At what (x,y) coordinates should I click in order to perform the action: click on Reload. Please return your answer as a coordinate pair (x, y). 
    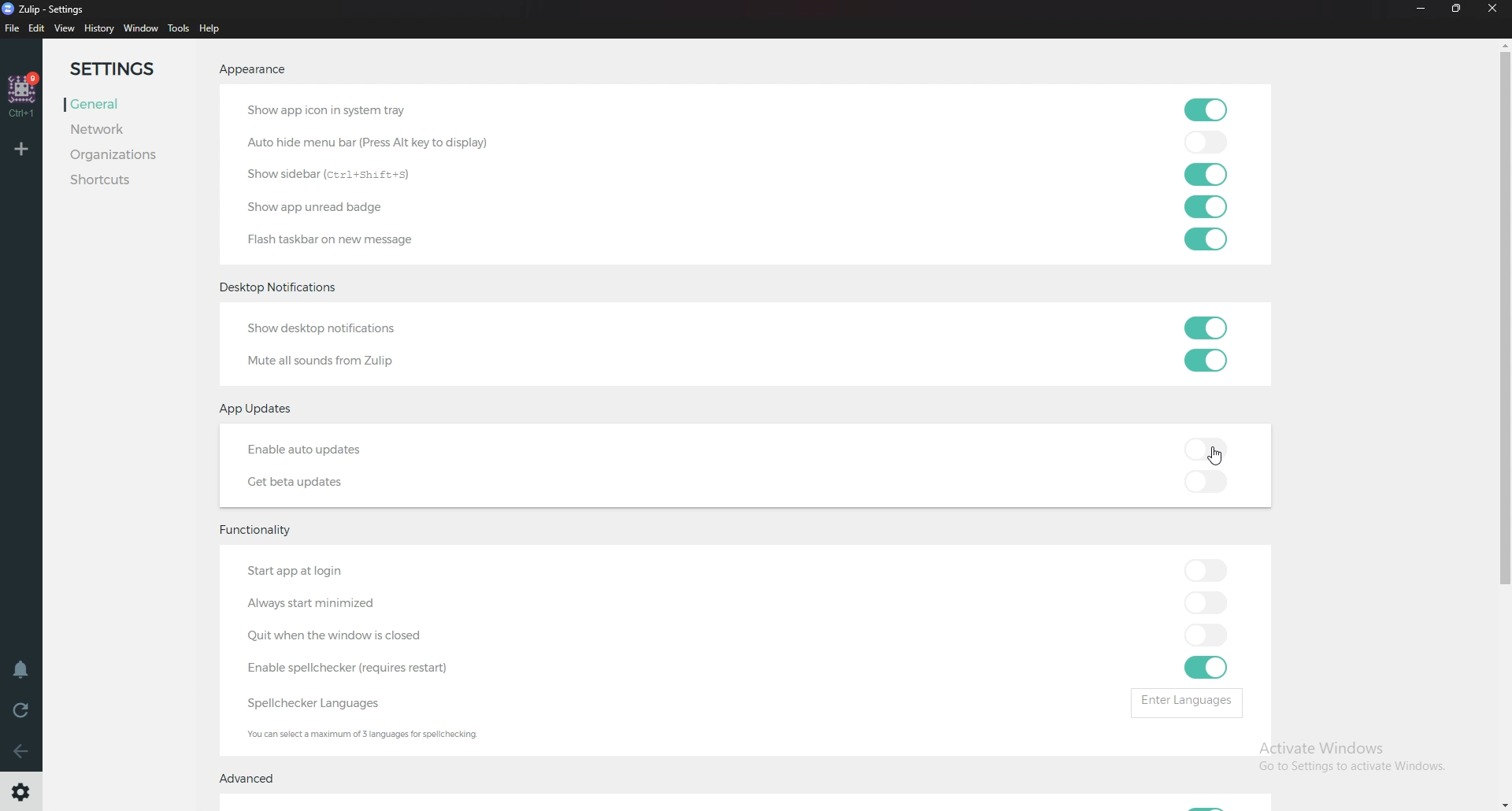
    Looking at the image, I should click on (24, 709).